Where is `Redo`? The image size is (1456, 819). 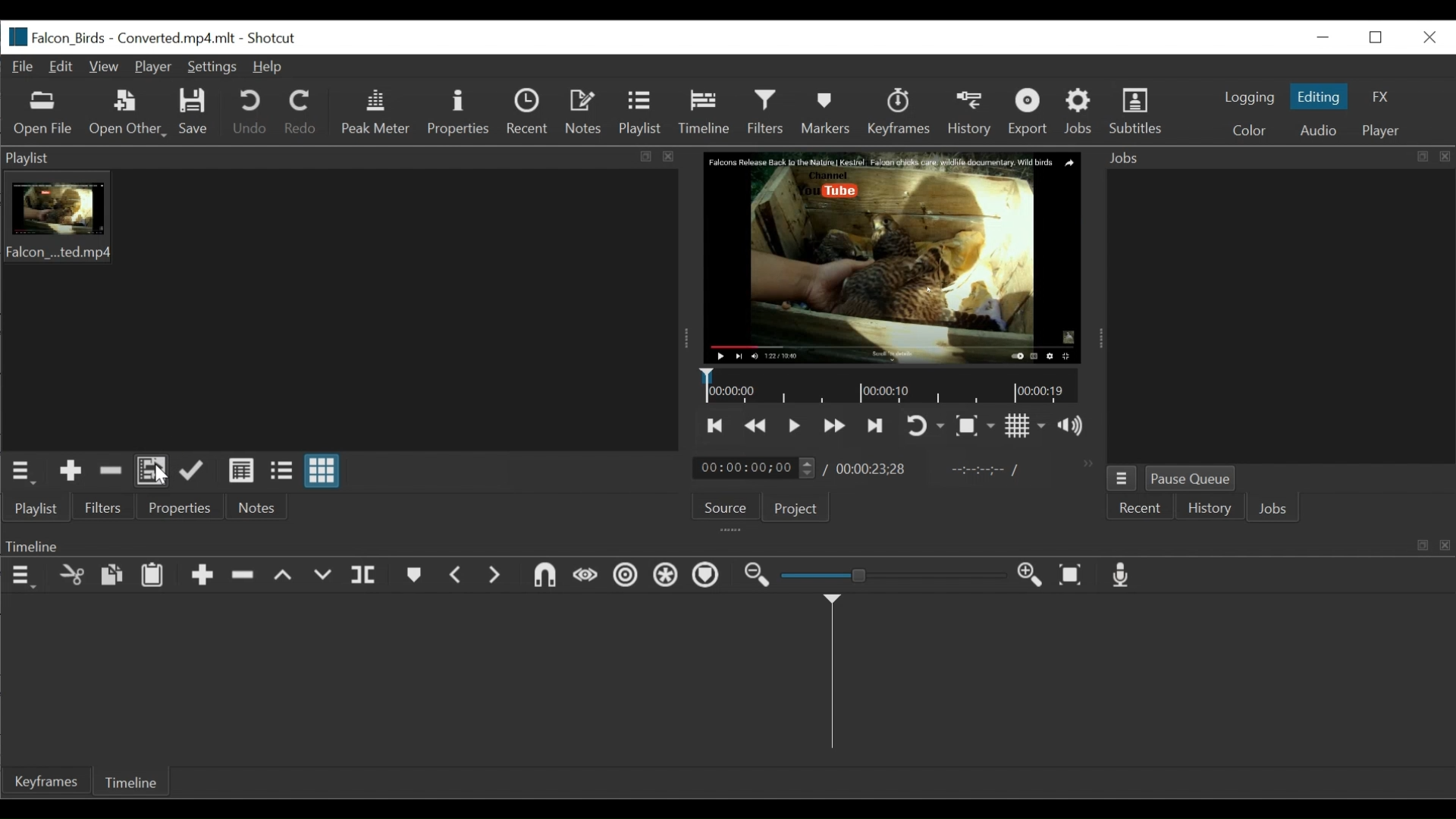
Redo is located at coordinates (303, 111).